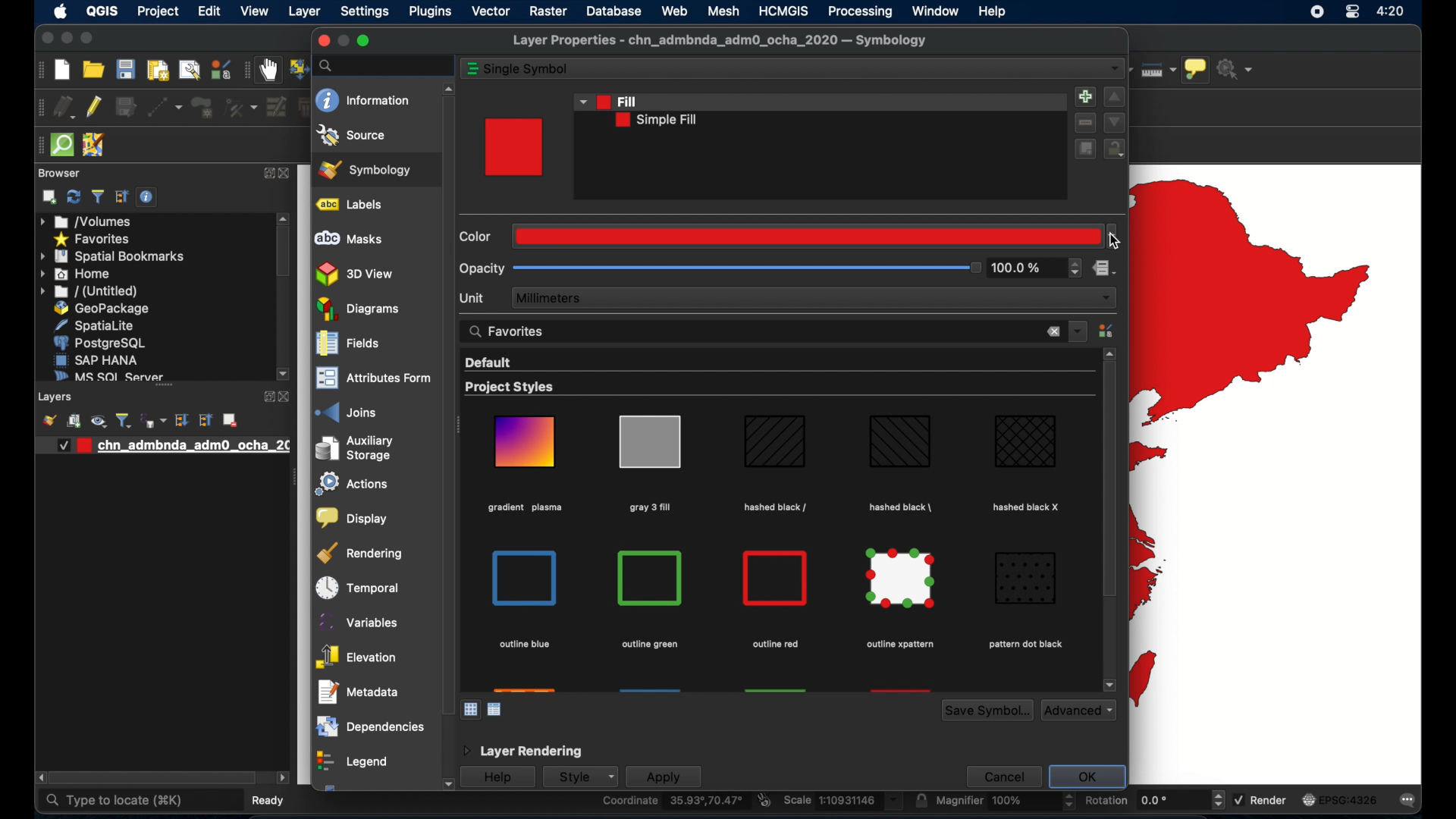 Image resolution: width=1456 pixels, height=819 pixels. Describe the element at coordinates (937, 11) in the screenshot. I see `window` at that location.